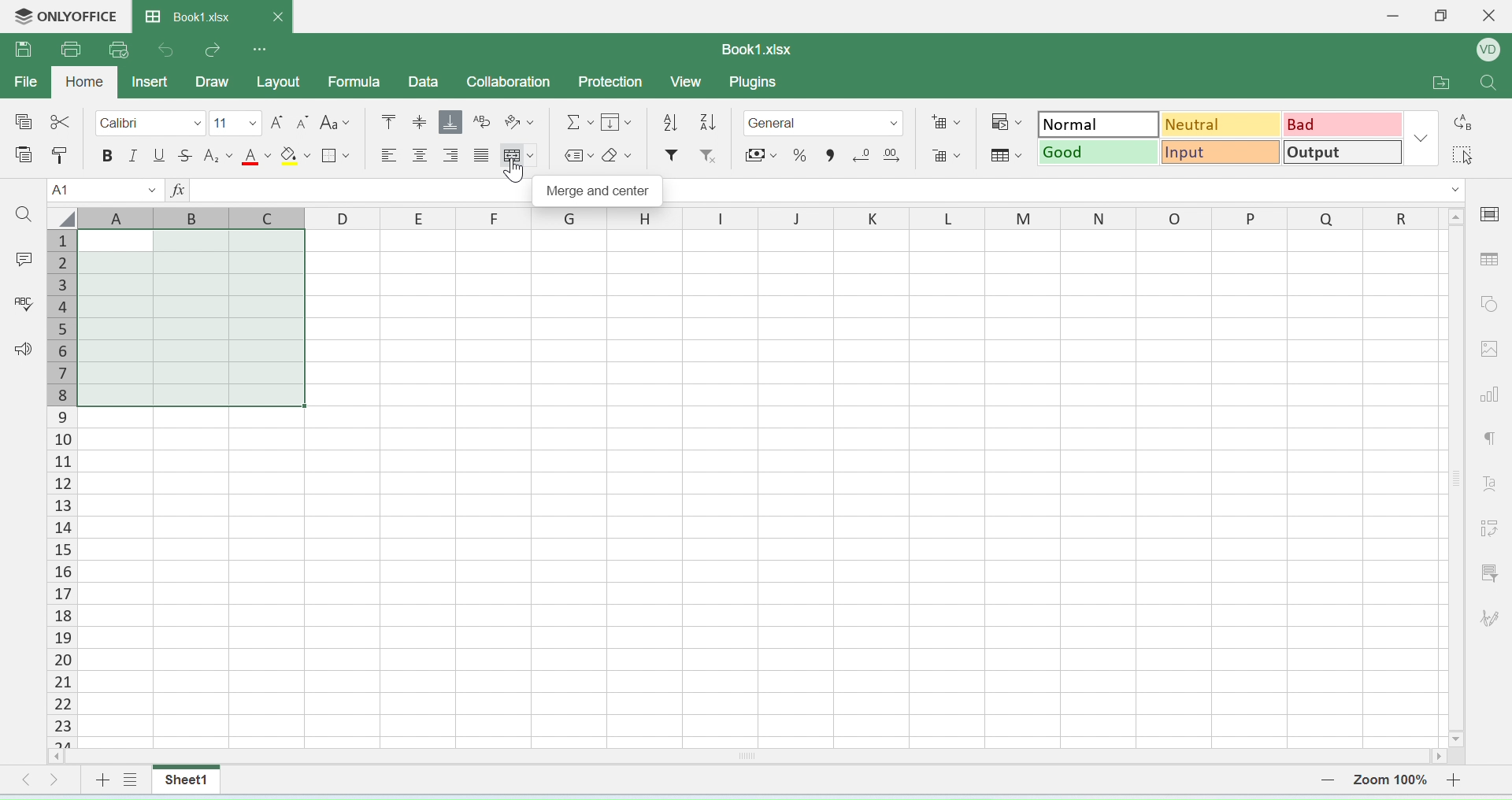 The image size is (1512, 800). What do you see at coordinates (520, 122) in the screenshot?
I see `orientation` at bounding box center [520, 122].